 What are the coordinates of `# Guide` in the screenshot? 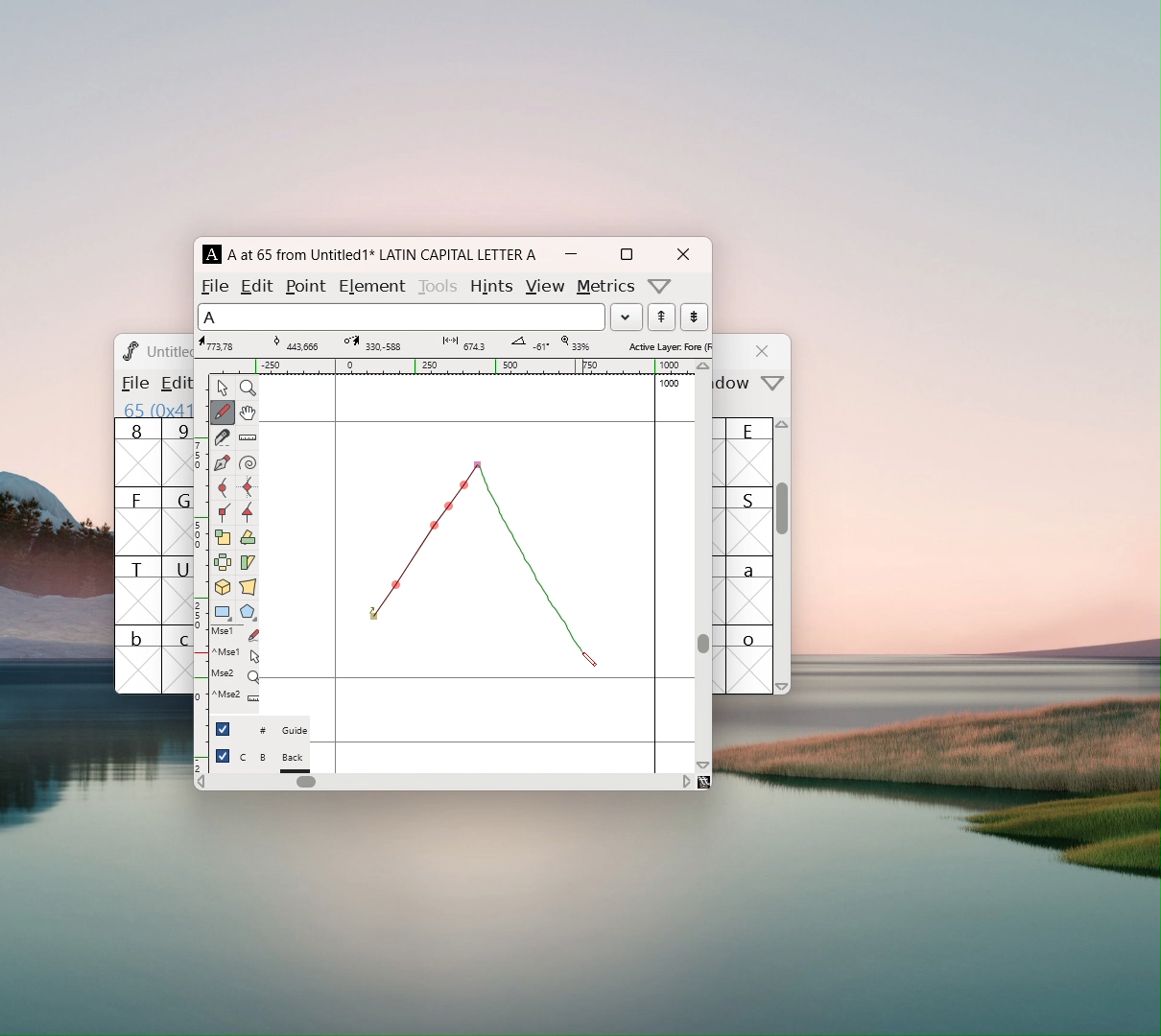 It's located at (273, 731).